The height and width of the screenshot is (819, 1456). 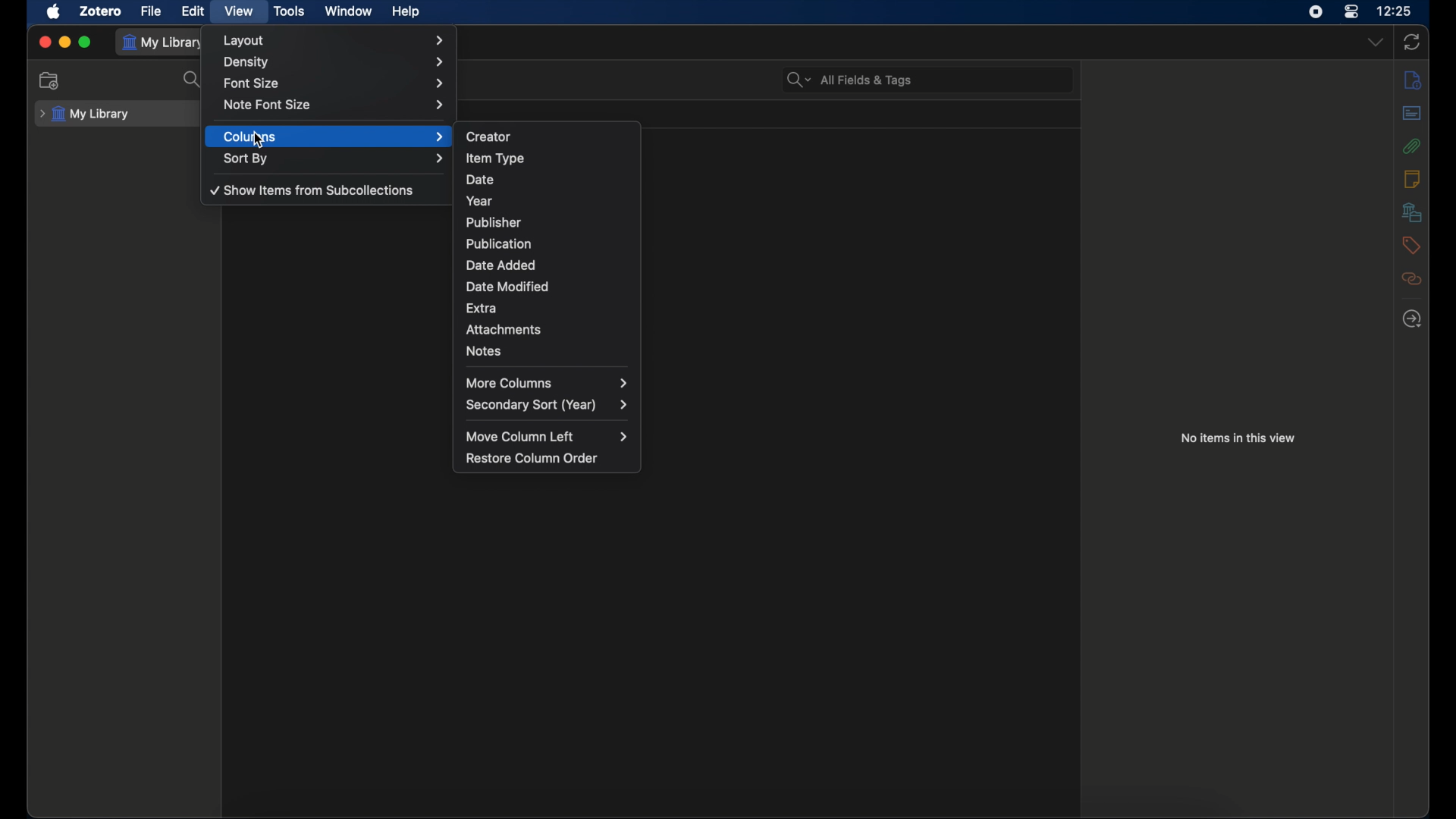 What do you see at coordinates (1412, 112) in the screenshot?
I see `abstract` at bounding box center [1412, 112].